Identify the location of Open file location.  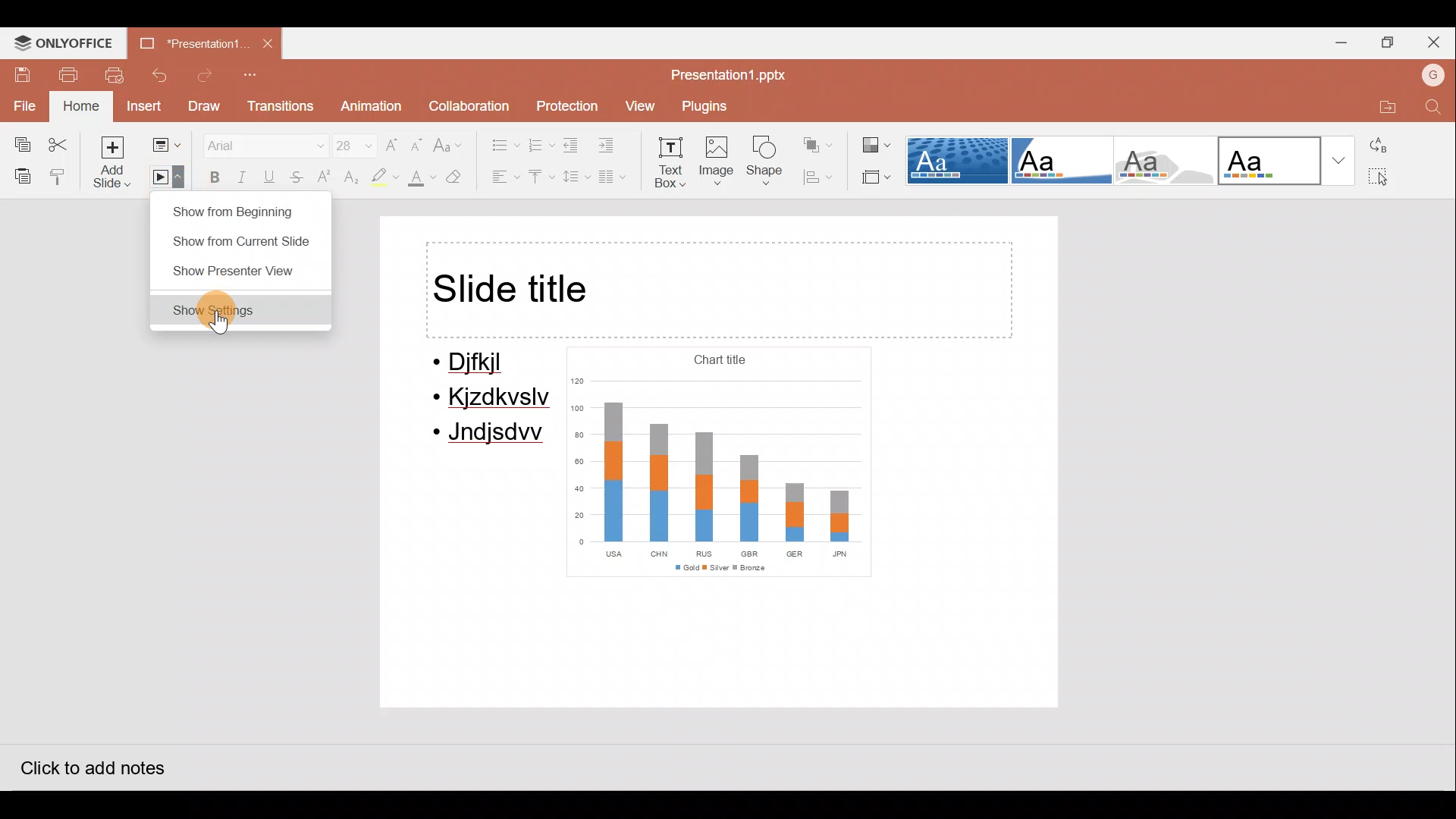
(1379, 107).